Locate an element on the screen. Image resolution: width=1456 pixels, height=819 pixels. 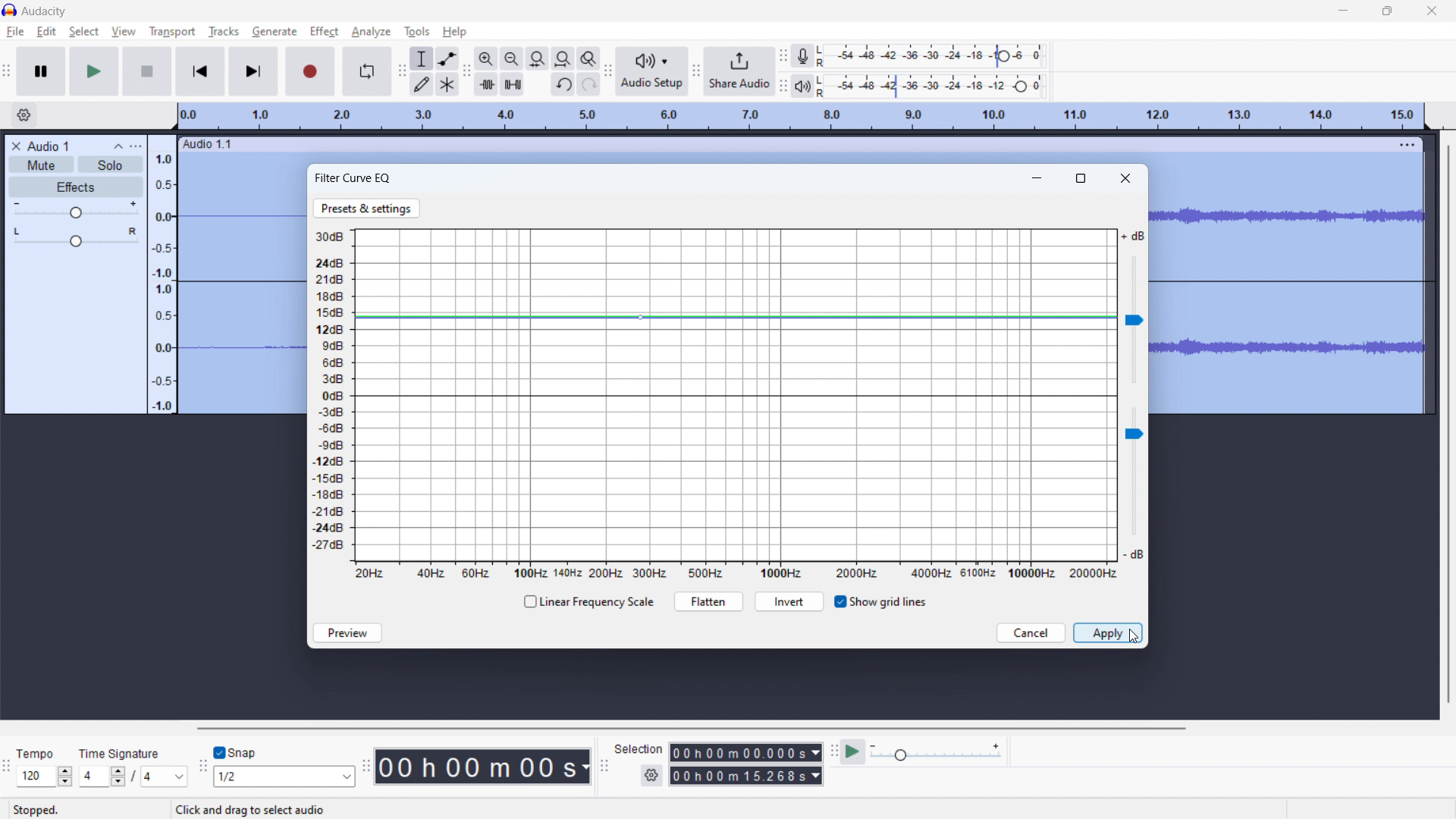
Tempo is located at coordinates (44, 754).